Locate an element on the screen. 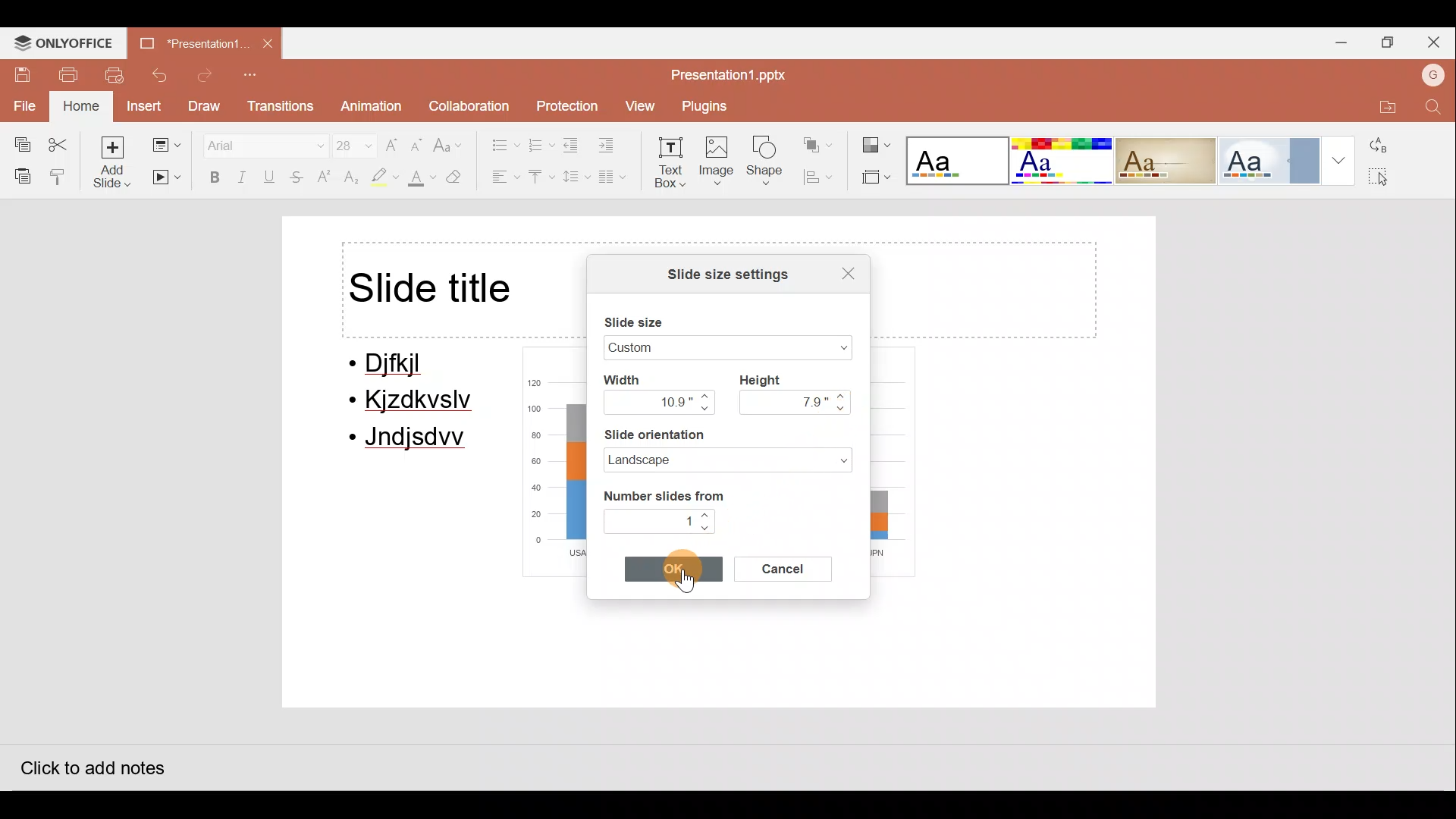  Home is located at coordinates (79, 107).